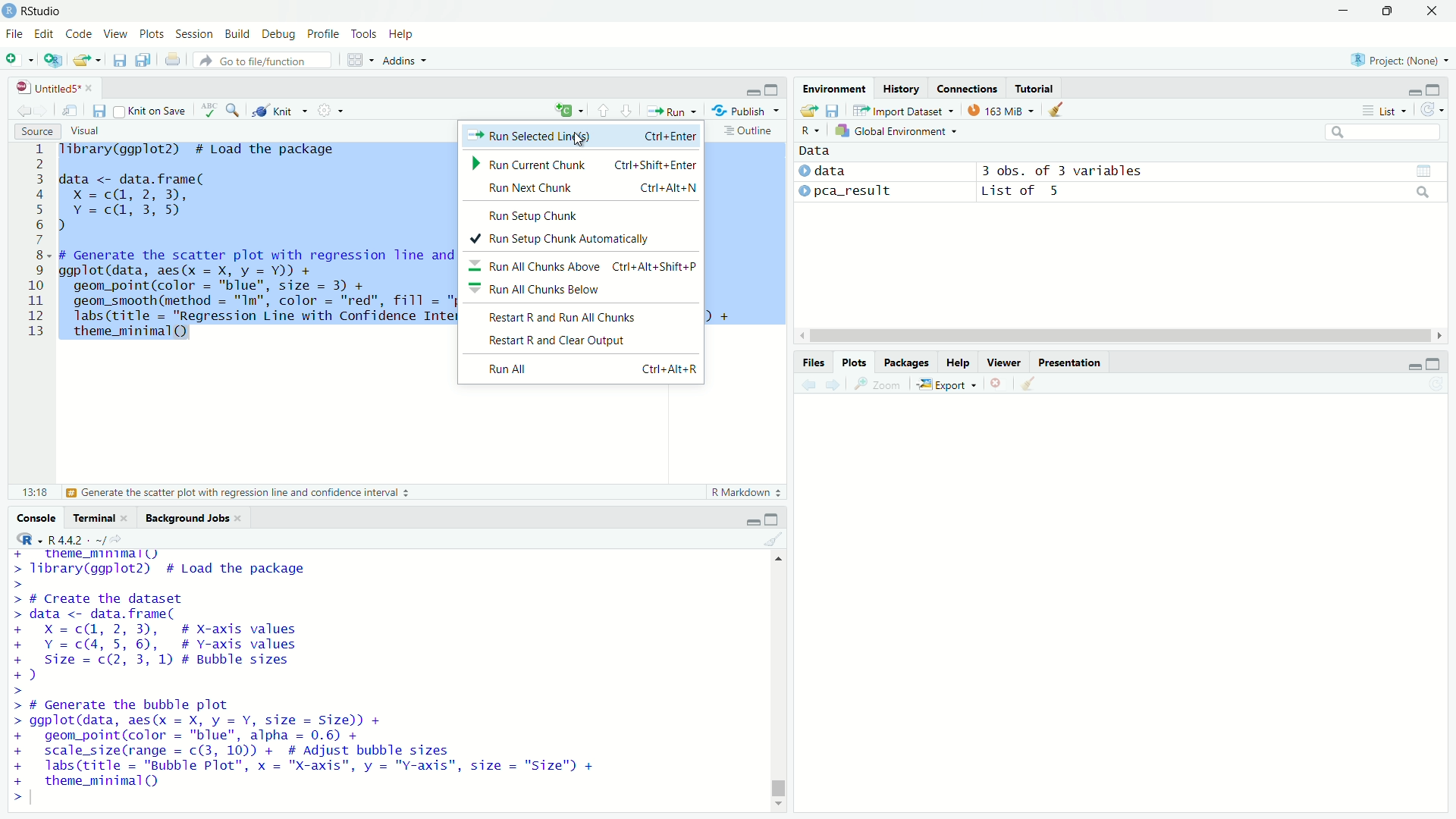 This screenshot has height=819, width=1456. Describe the element at coordinates (1343, 11) in the screenshot. I see `minimize` at that location.